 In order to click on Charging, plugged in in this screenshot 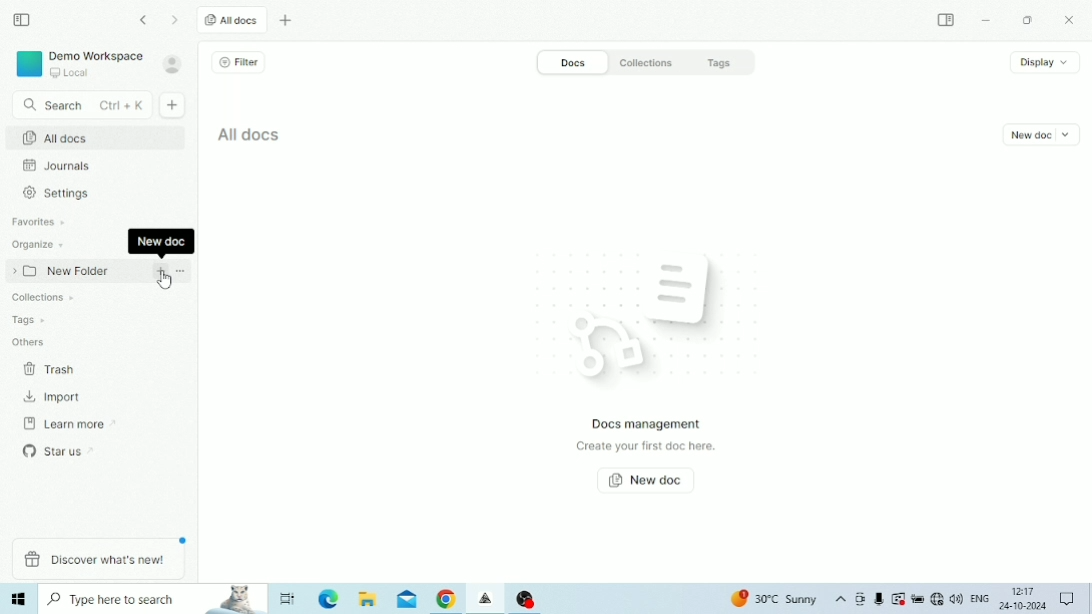, I will do `click(917, 599)`.